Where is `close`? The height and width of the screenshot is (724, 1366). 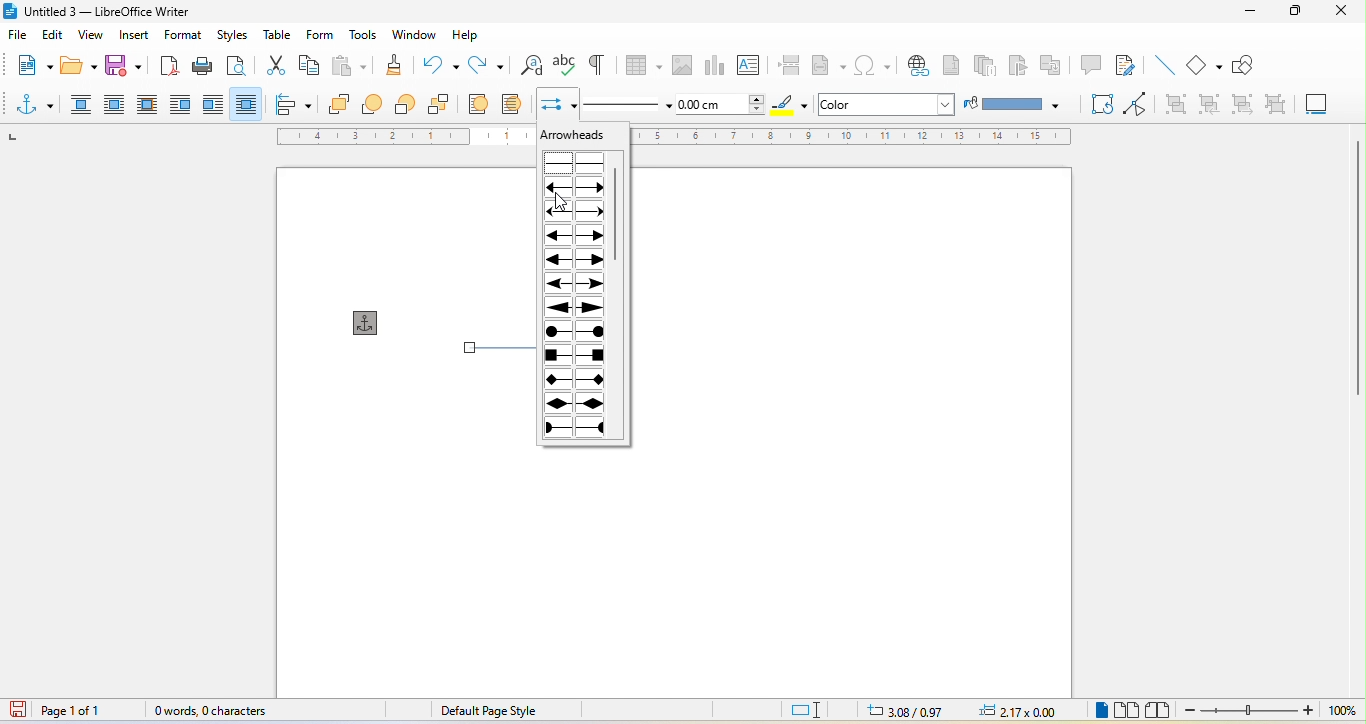
close is located at coordinates (1343, 11).